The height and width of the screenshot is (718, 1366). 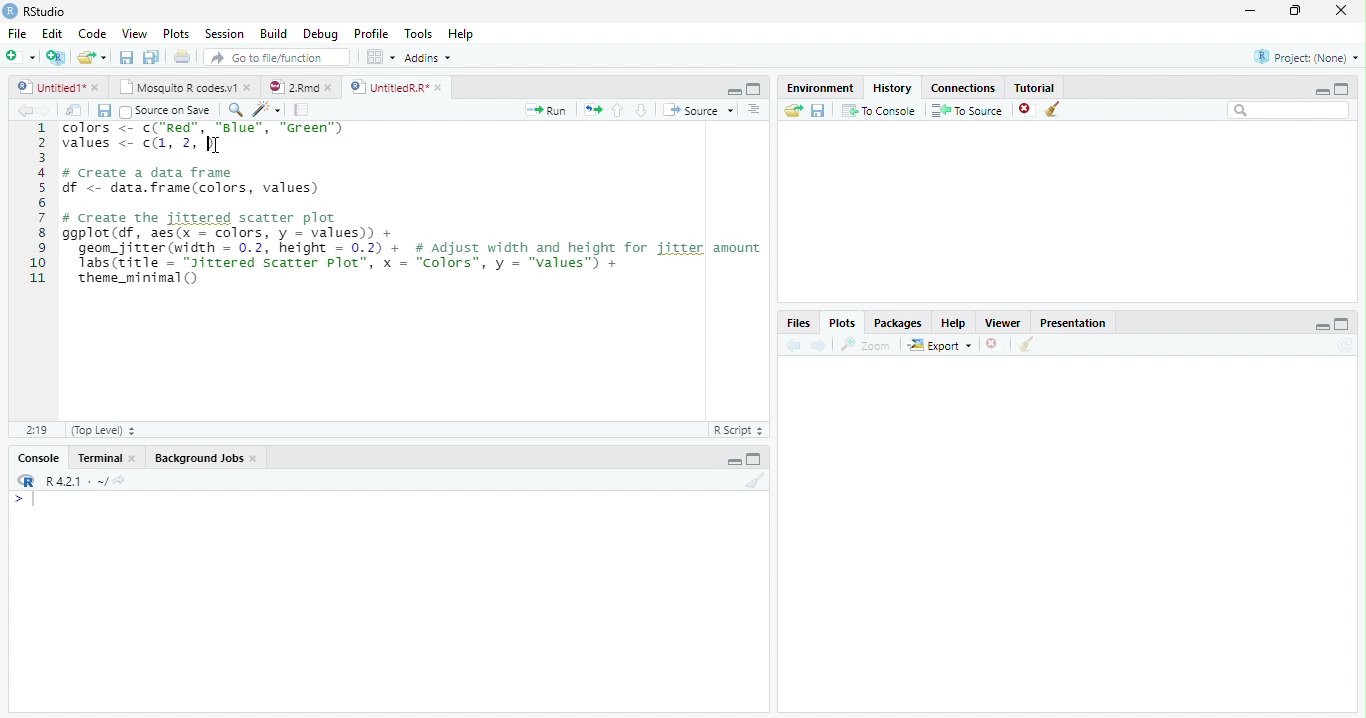 What do you see at coordinates (438, 88) in the screenshot?
I see `close` at bounding box center [438, 88].